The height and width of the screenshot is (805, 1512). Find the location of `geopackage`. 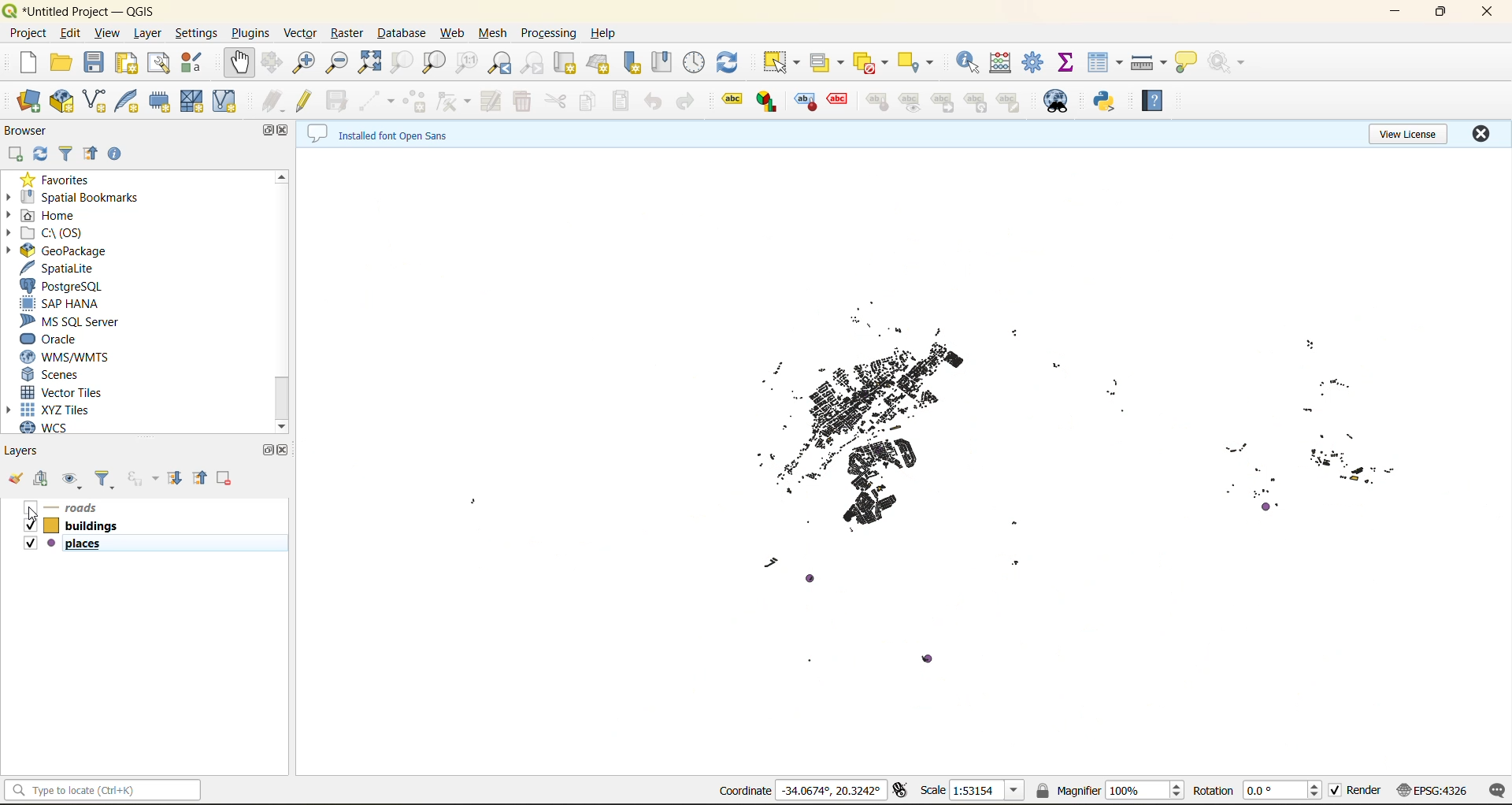

geopackage is located at coordinates (80, 252).